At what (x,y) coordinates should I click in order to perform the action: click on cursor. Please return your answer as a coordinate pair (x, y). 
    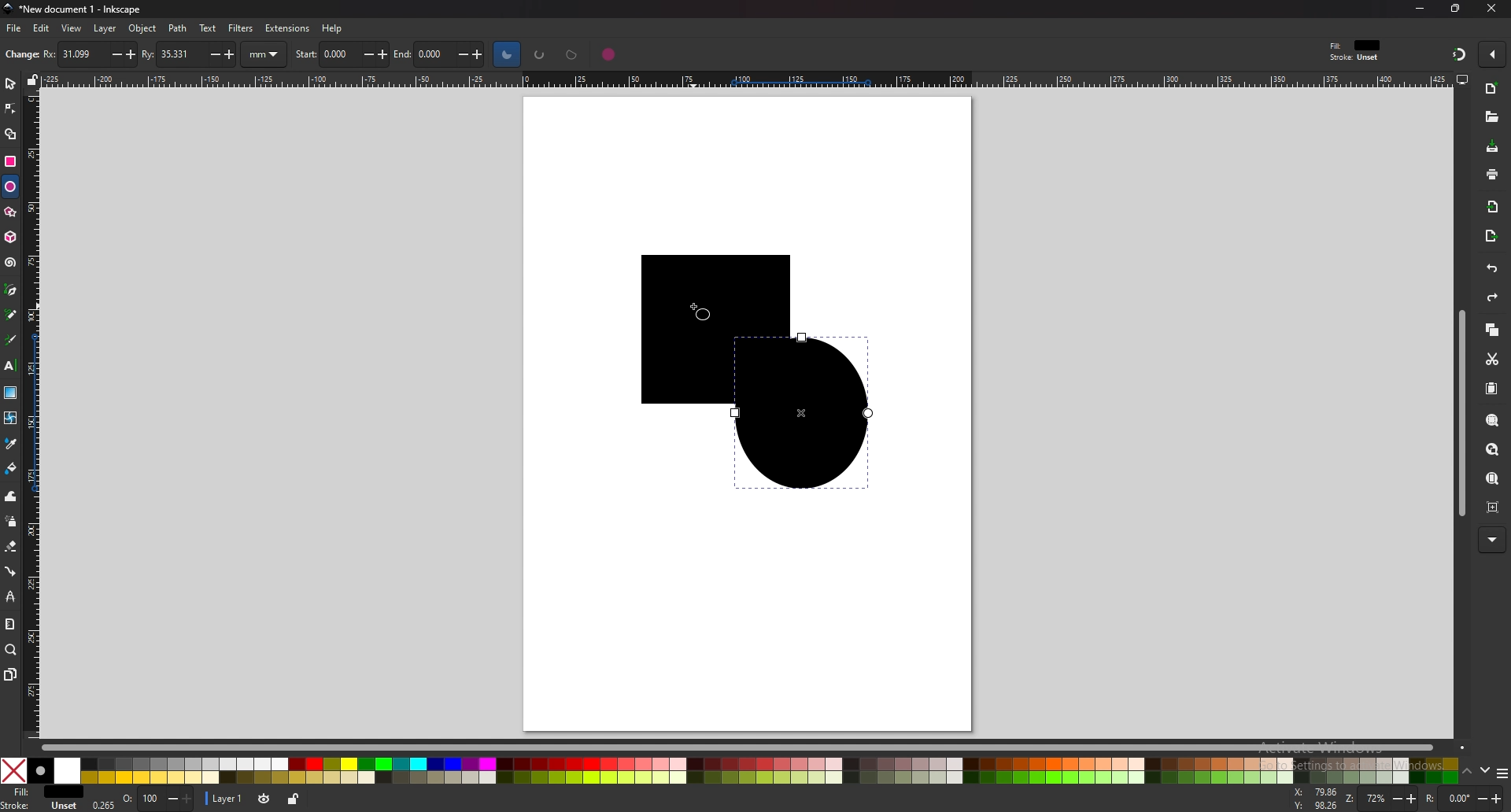
    Looking at the image, I should click on (696, 308).